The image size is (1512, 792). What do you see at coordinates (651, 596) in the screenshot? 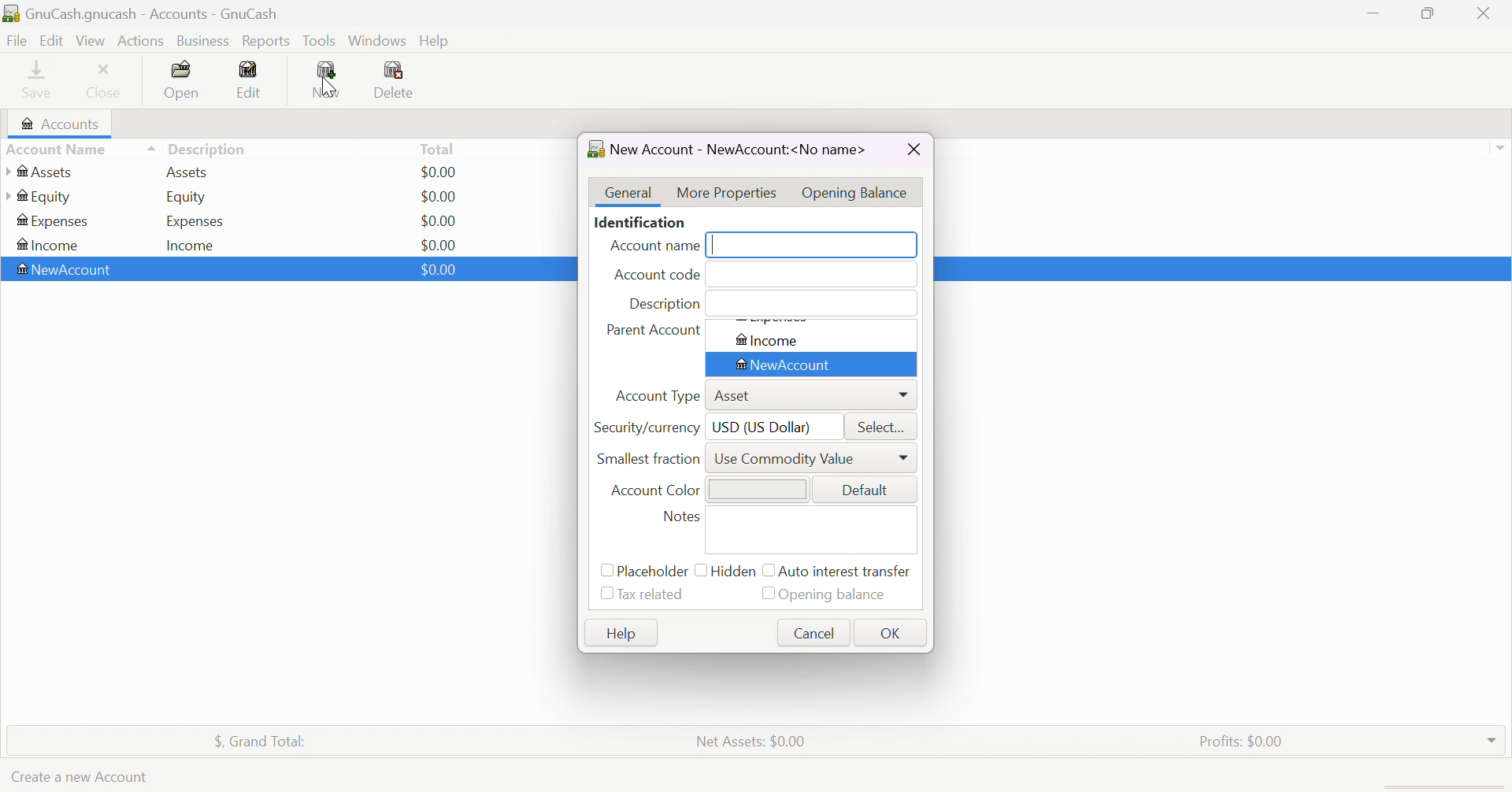
I see `Tax related` at bounding box center [651, 596].